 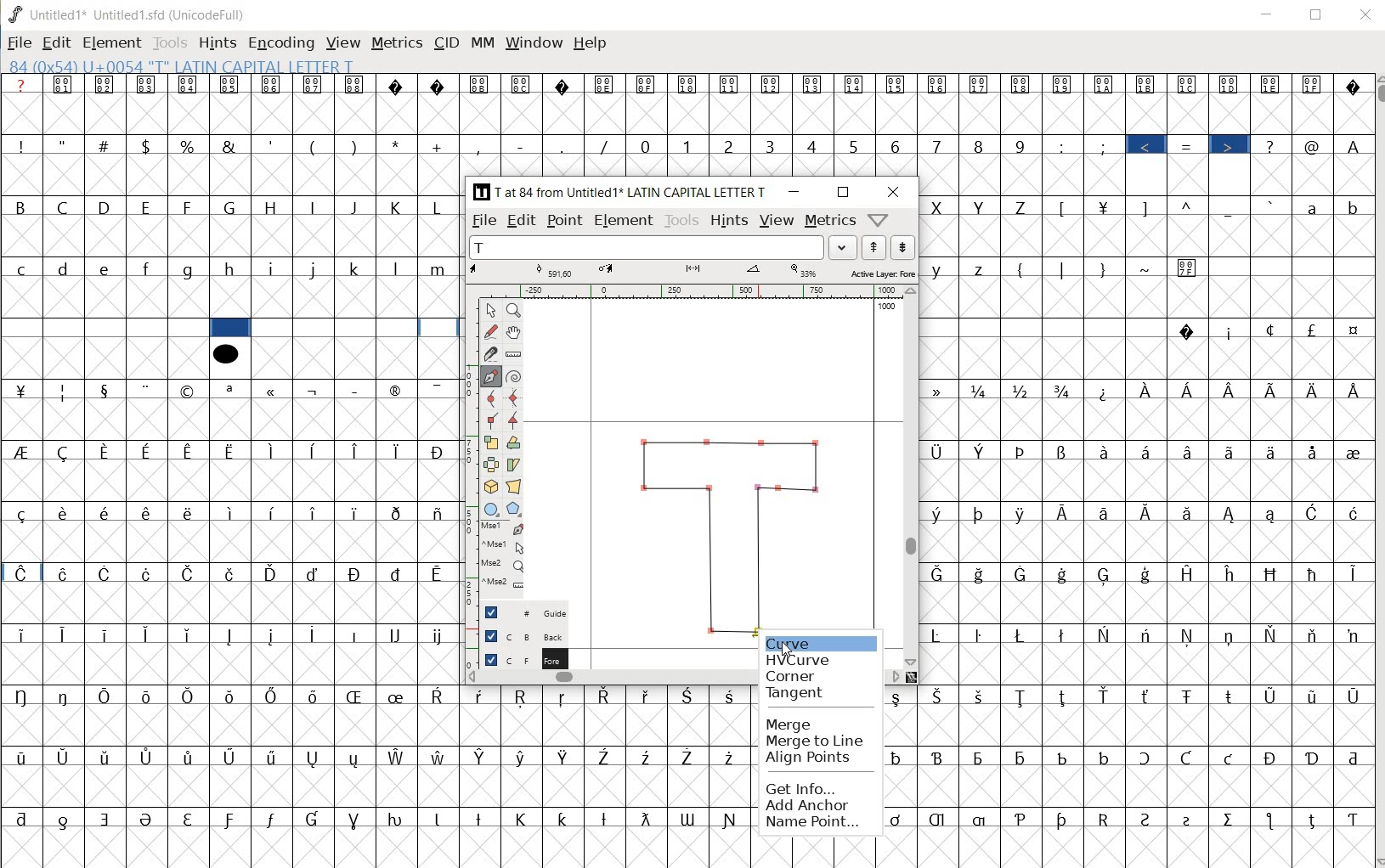 What do you see at coordinates (148, 147) in the screenshot?
I see `$` at bounding box center [148, 147].